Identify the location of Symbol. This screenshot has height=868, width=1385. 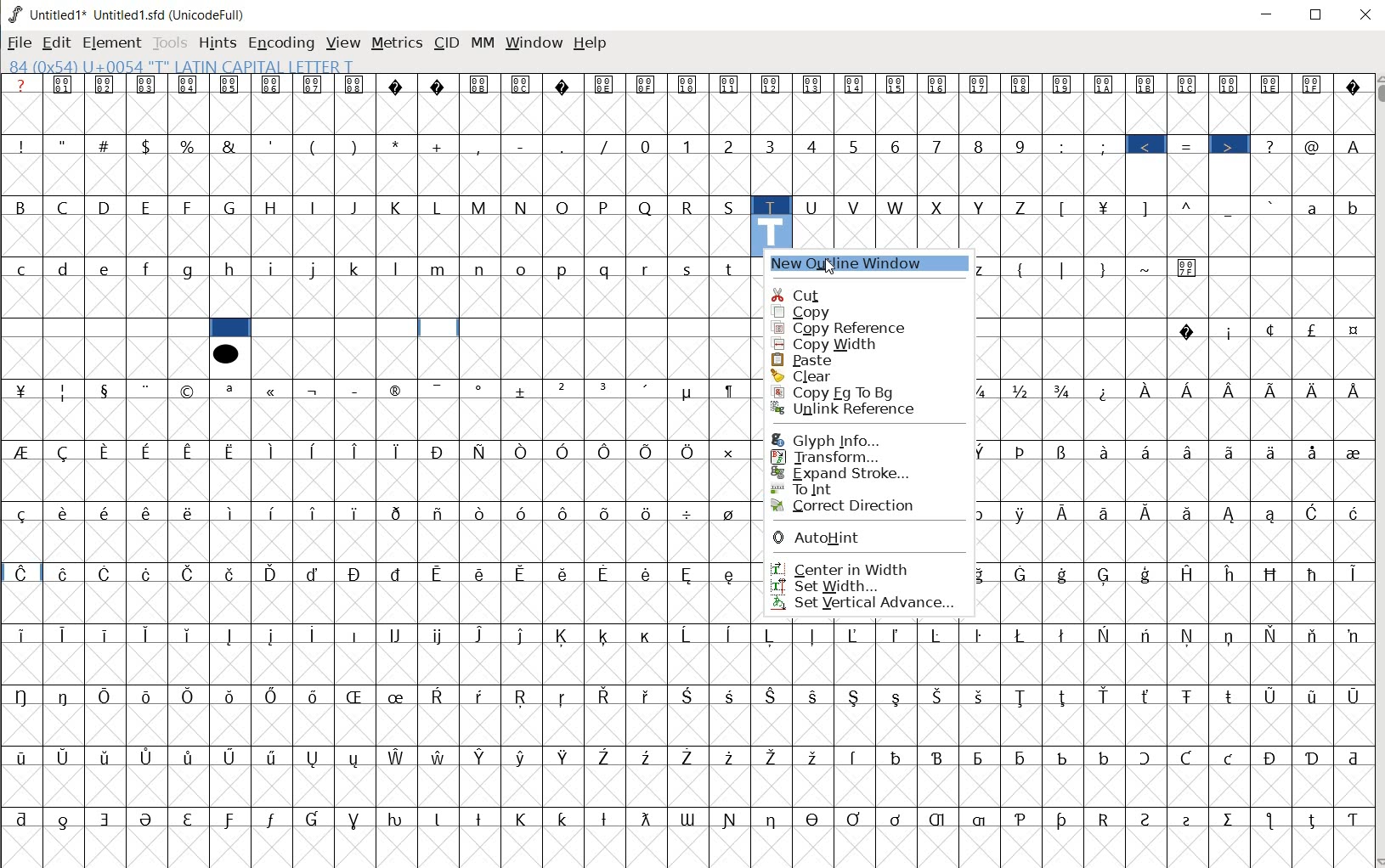
(772, 756).